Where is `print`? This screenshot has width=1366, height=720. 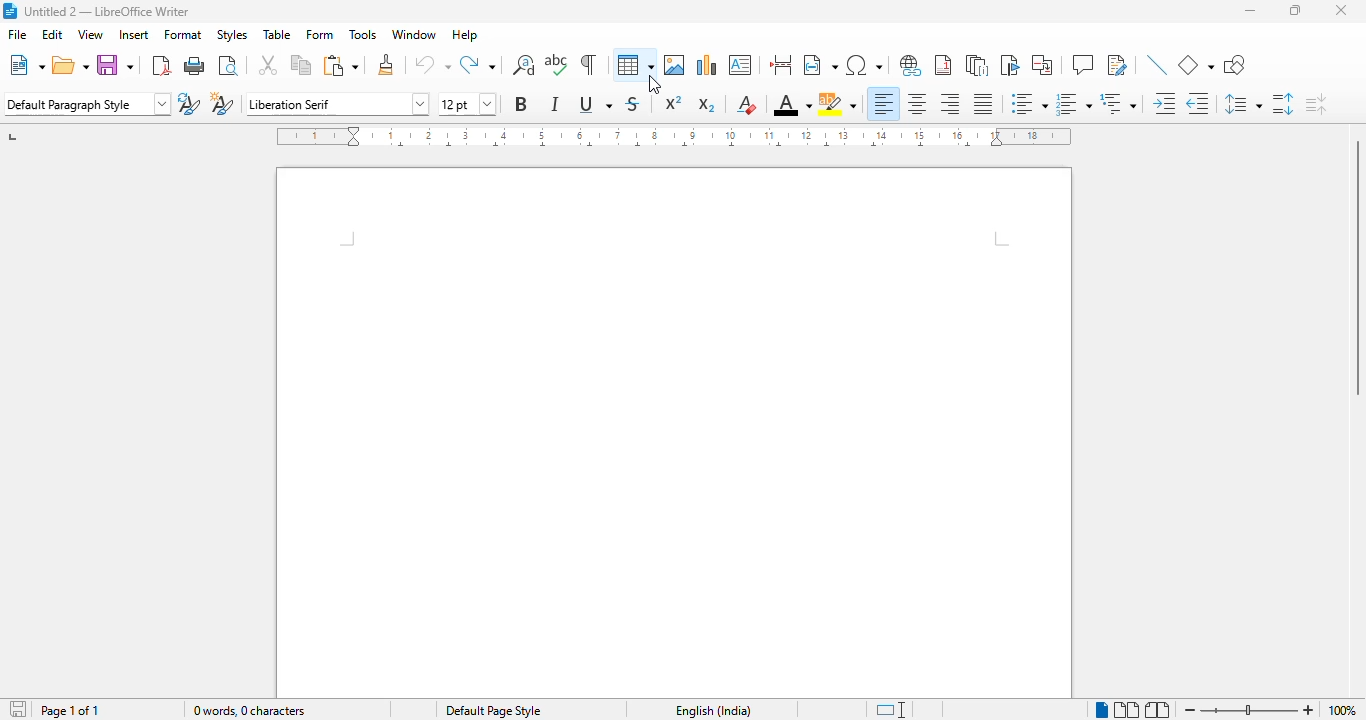 print is located at coordinates (196, 65).